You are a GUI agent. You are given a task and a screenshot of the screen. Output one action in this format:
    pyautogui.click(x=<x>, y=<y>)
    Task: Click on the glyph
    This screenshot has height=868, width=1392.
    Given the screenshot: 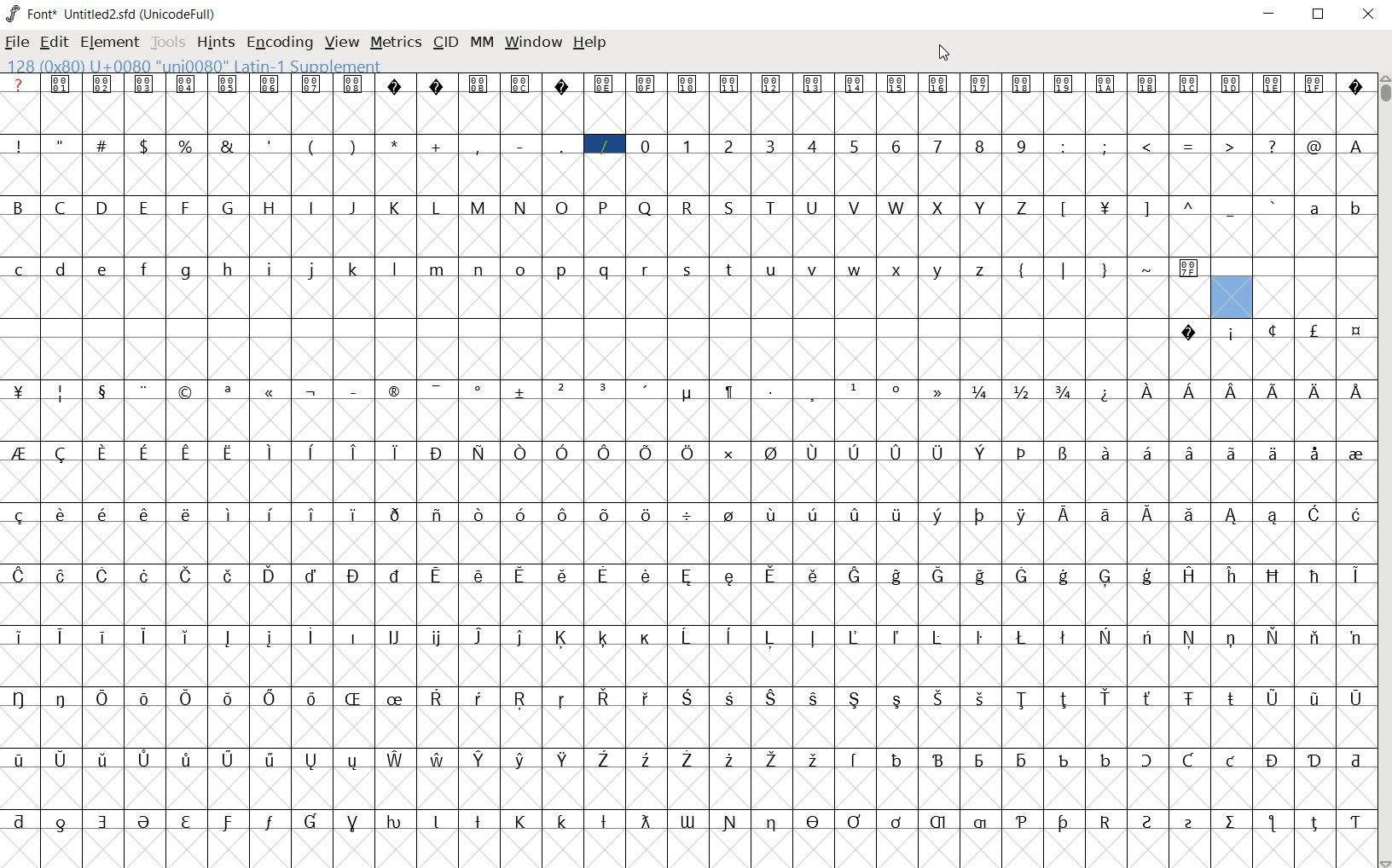 What is the action you would take?
    pyautogui.click(x=897, y=389)
    